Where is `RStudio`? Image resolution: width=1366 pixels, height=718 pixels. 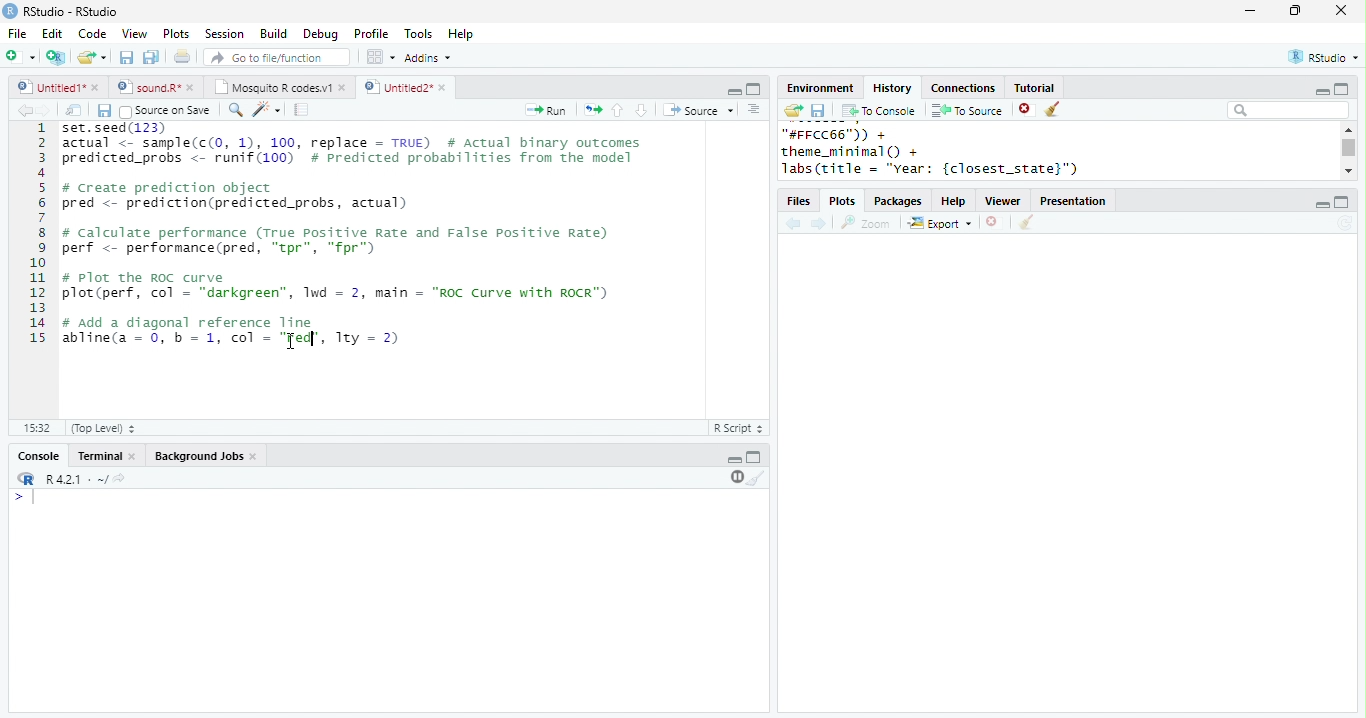
RStudio is located at coordinates (1326, 56).